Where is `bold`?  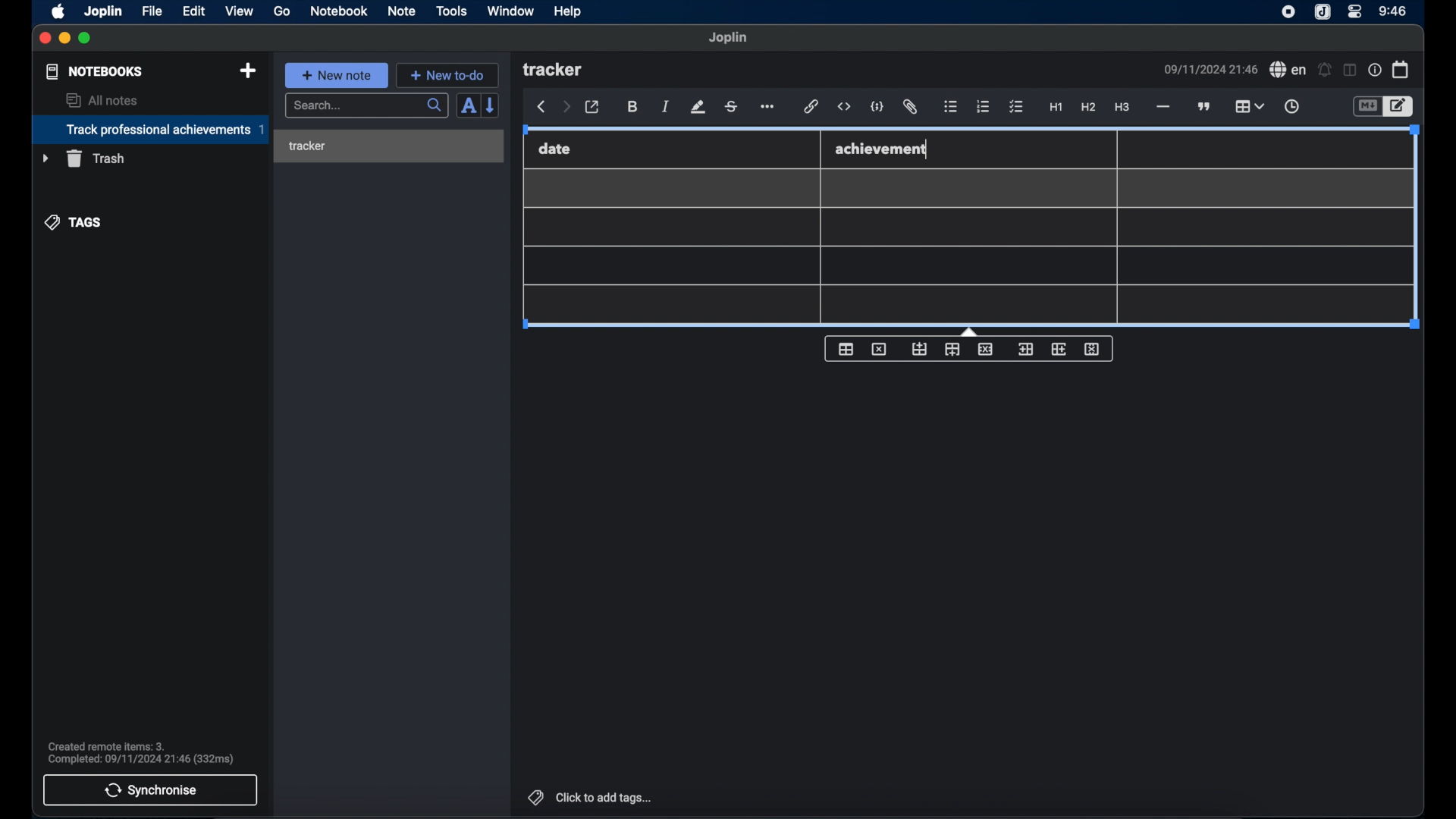 bold is located at coordinates (632, 107).